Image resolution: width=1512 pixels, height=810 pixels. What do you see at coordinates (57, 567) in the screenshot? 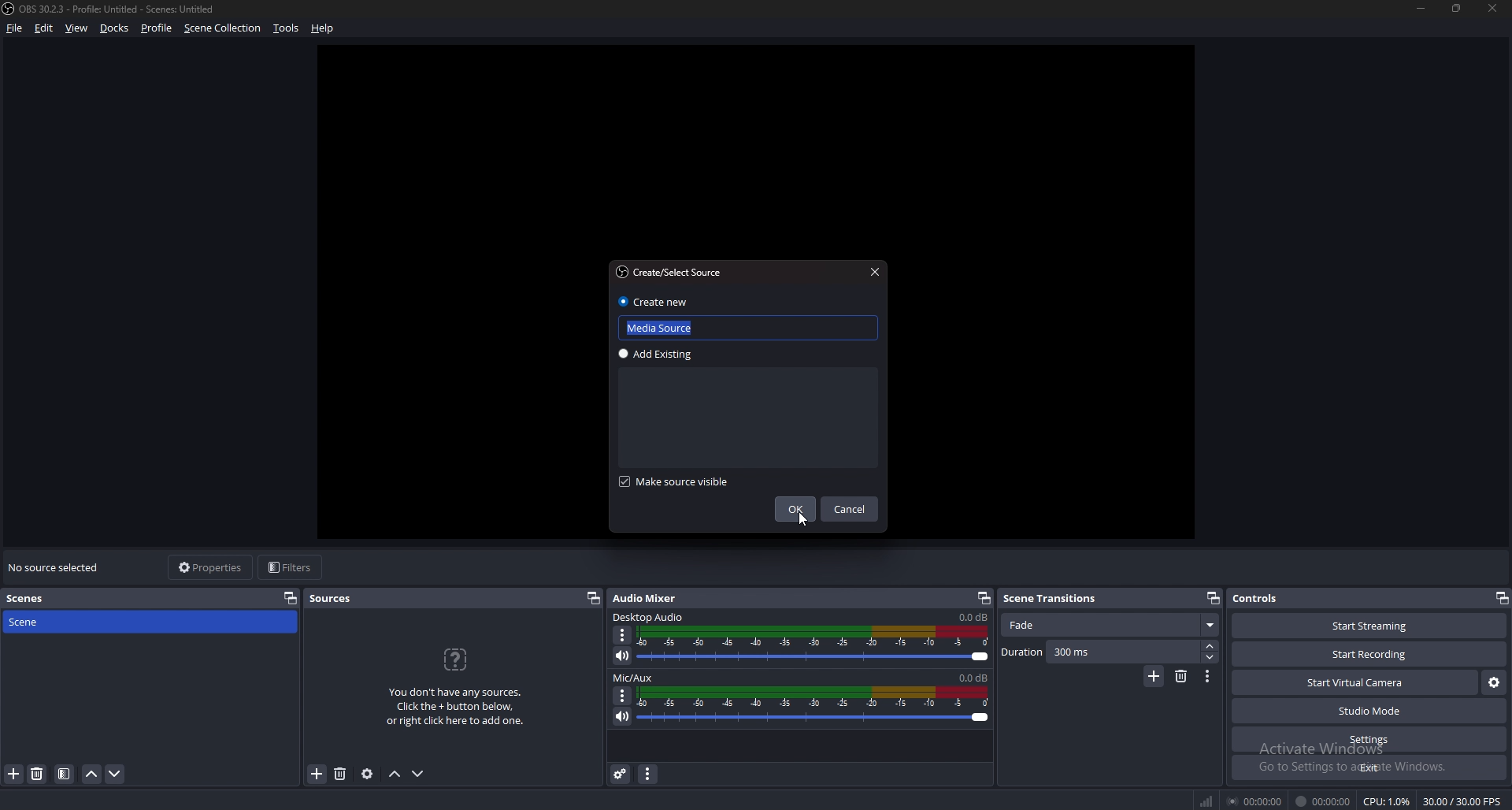
I see `No source selected` at bounding box center [57, 567].